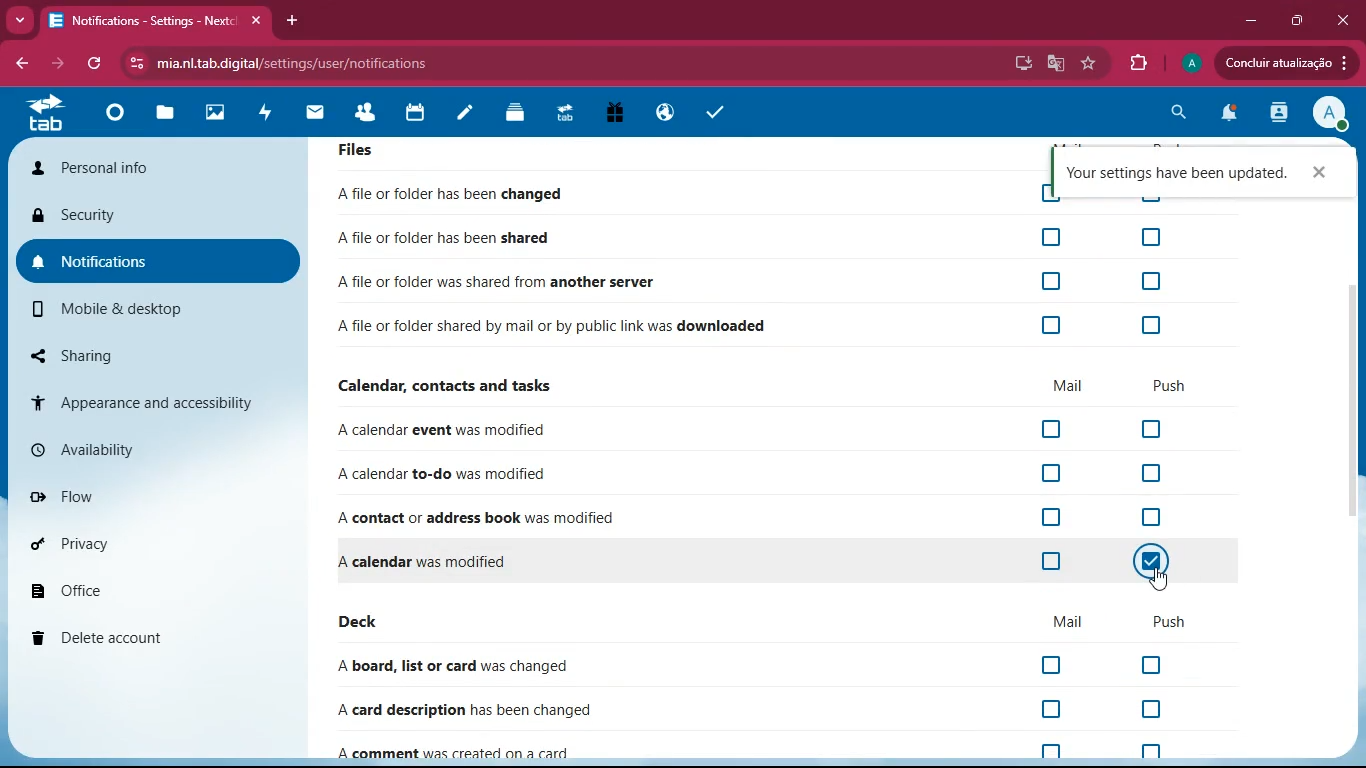 This screenshot has width=1366, height=768. I want to click on notifications, so click(157, 261).